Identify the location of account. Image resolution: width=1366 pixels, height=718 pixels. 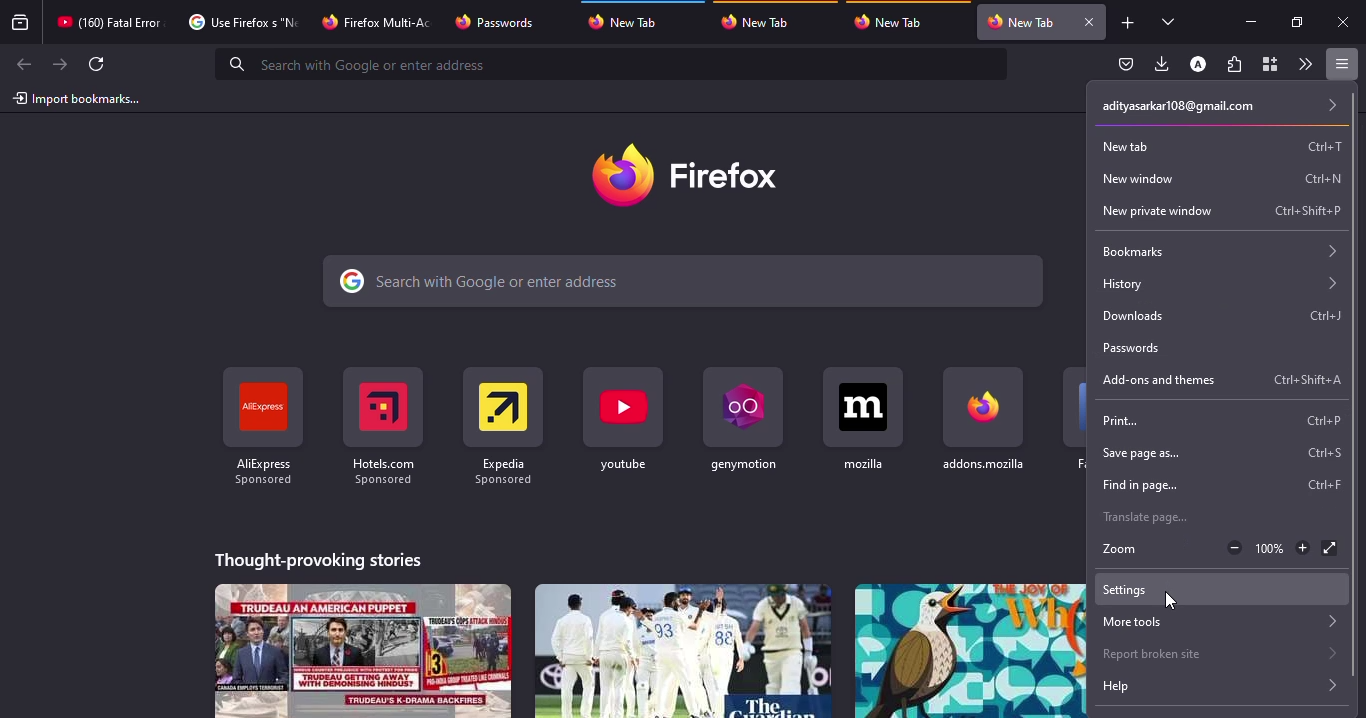
(1198, 65).